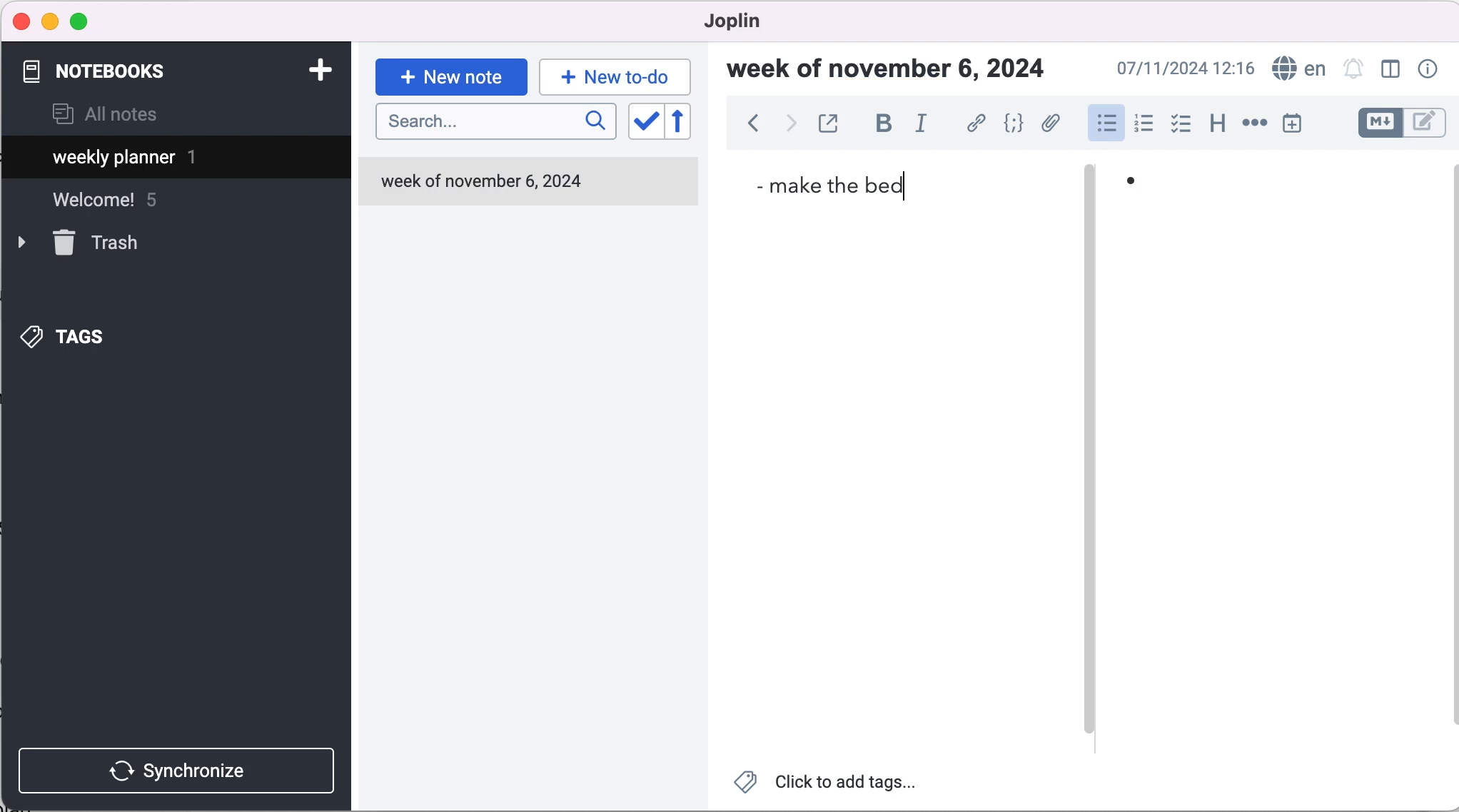  Describe the element at coordinates (1216, 121) in the screenshot. I see `heading` at that location.